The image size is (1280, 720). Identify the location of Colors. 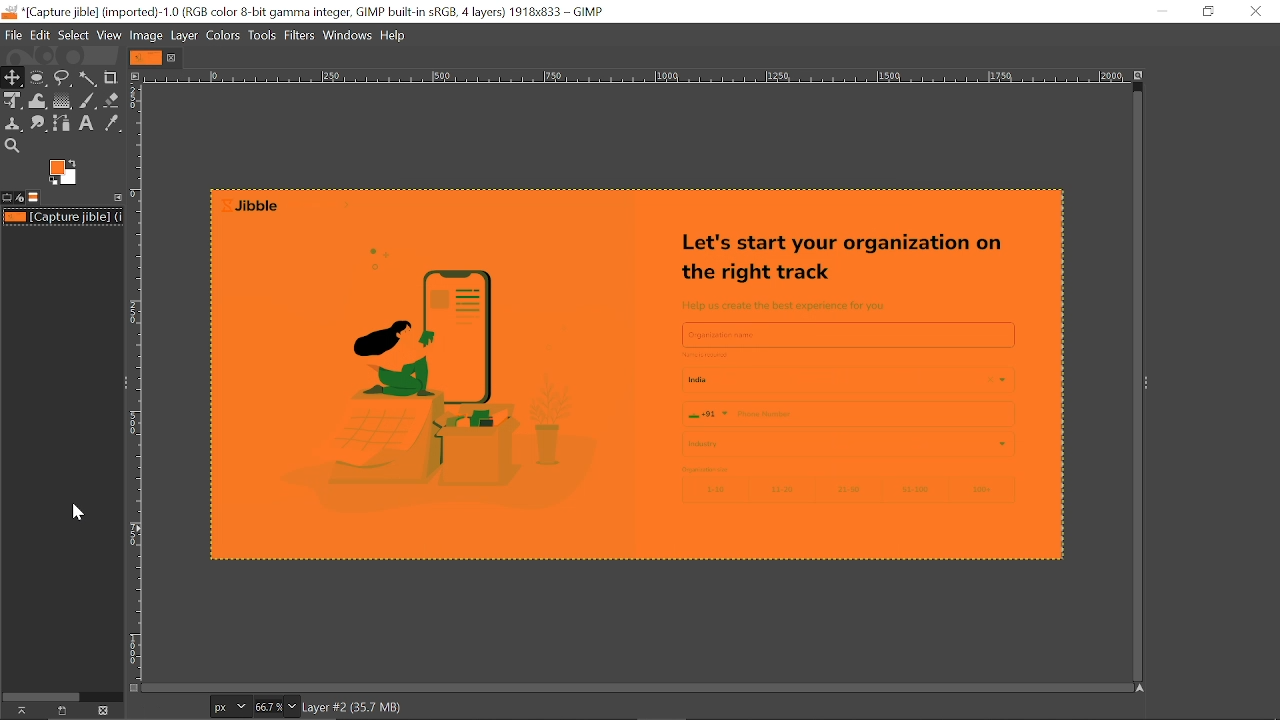
(224, 35).